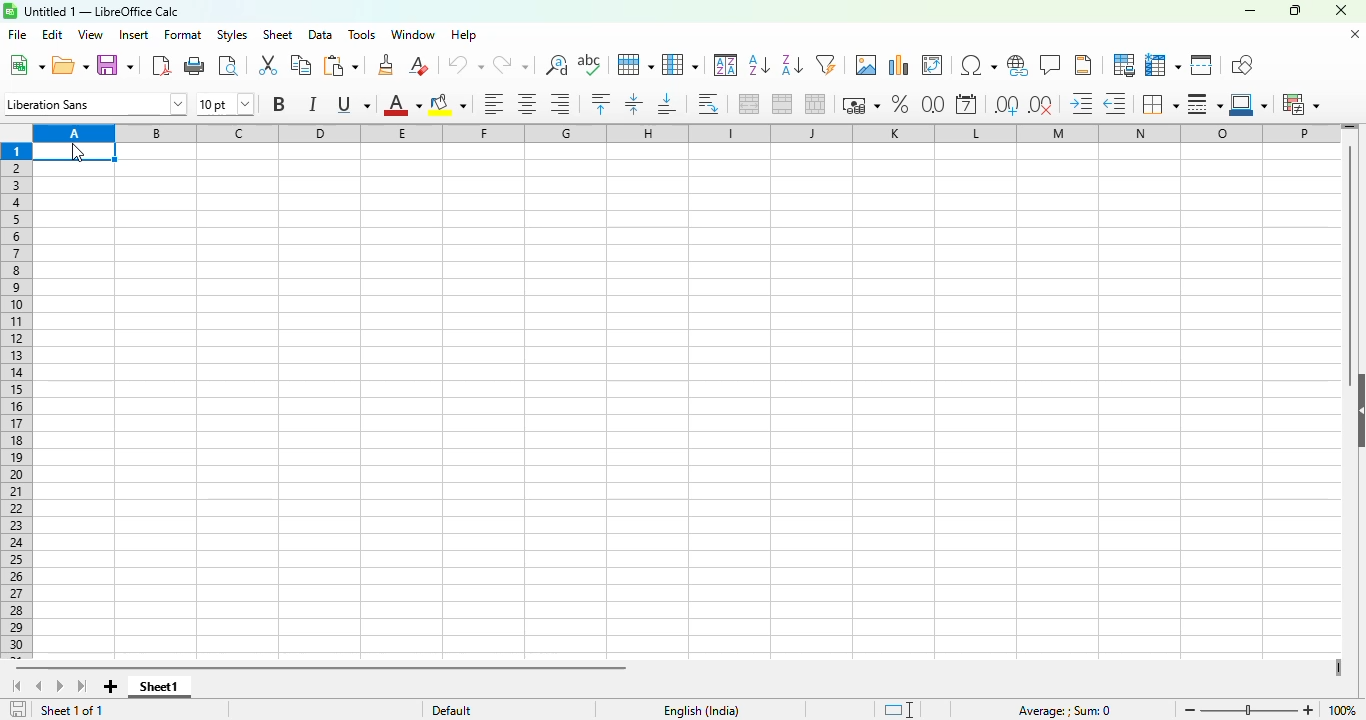 The image size is (1366, 720). I want to click on bold, so click(278, 103).